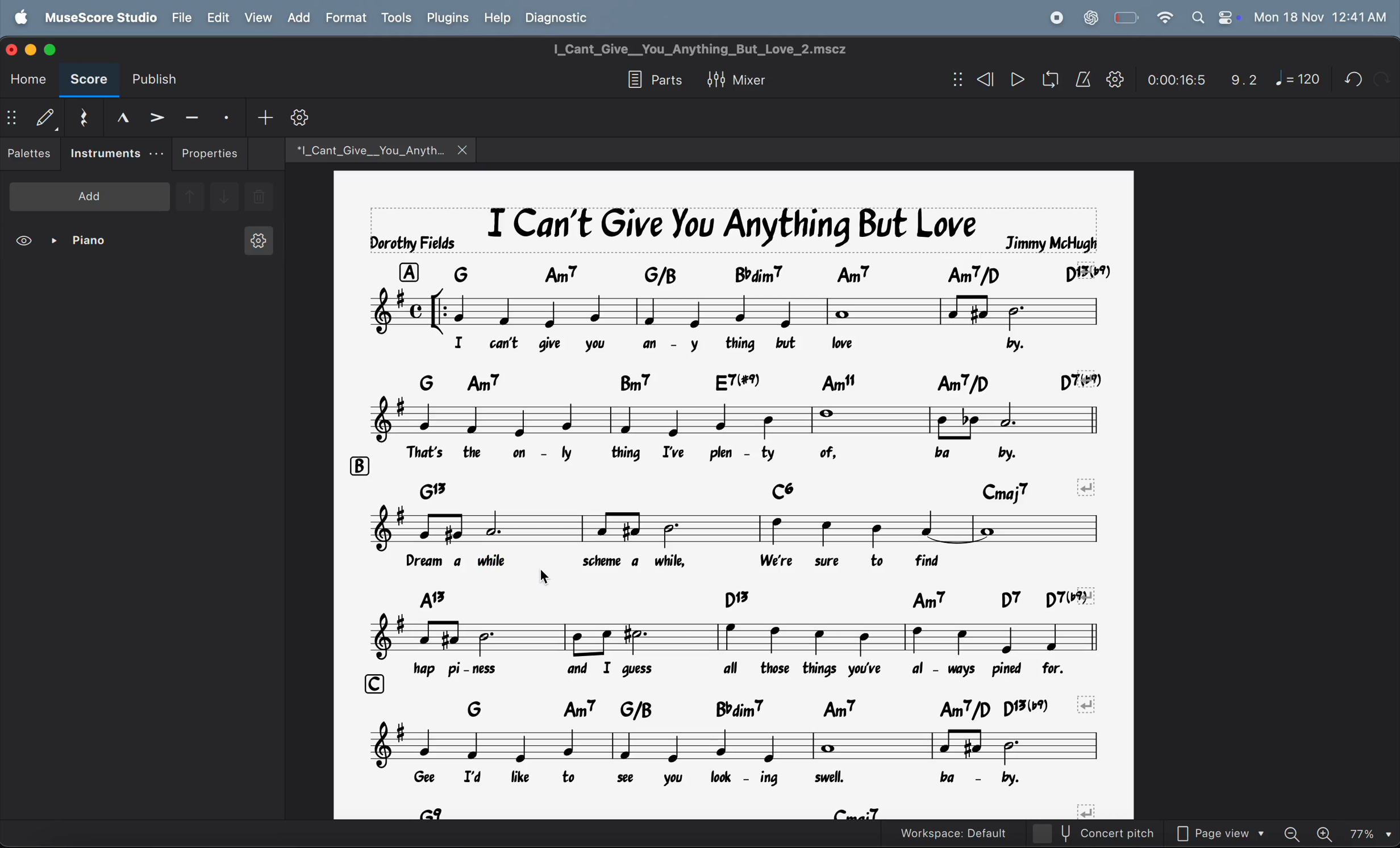 The height and width of the screenshot is (848, 1400). Describe the element at coordinates (448, 19) in the screenshot. I see `plugins` at that location.